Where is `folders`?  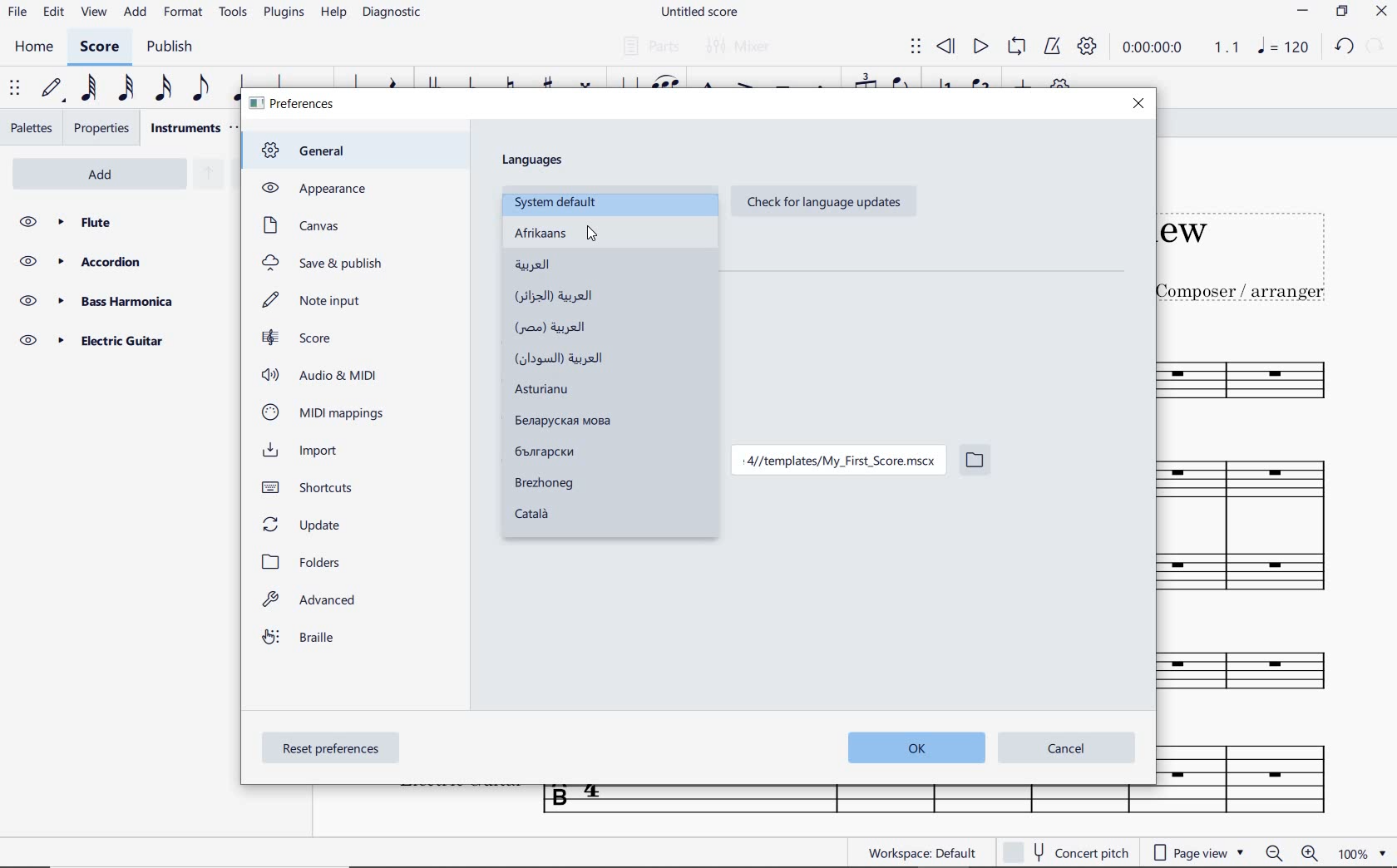 folders is located at coordinates (306, 562).